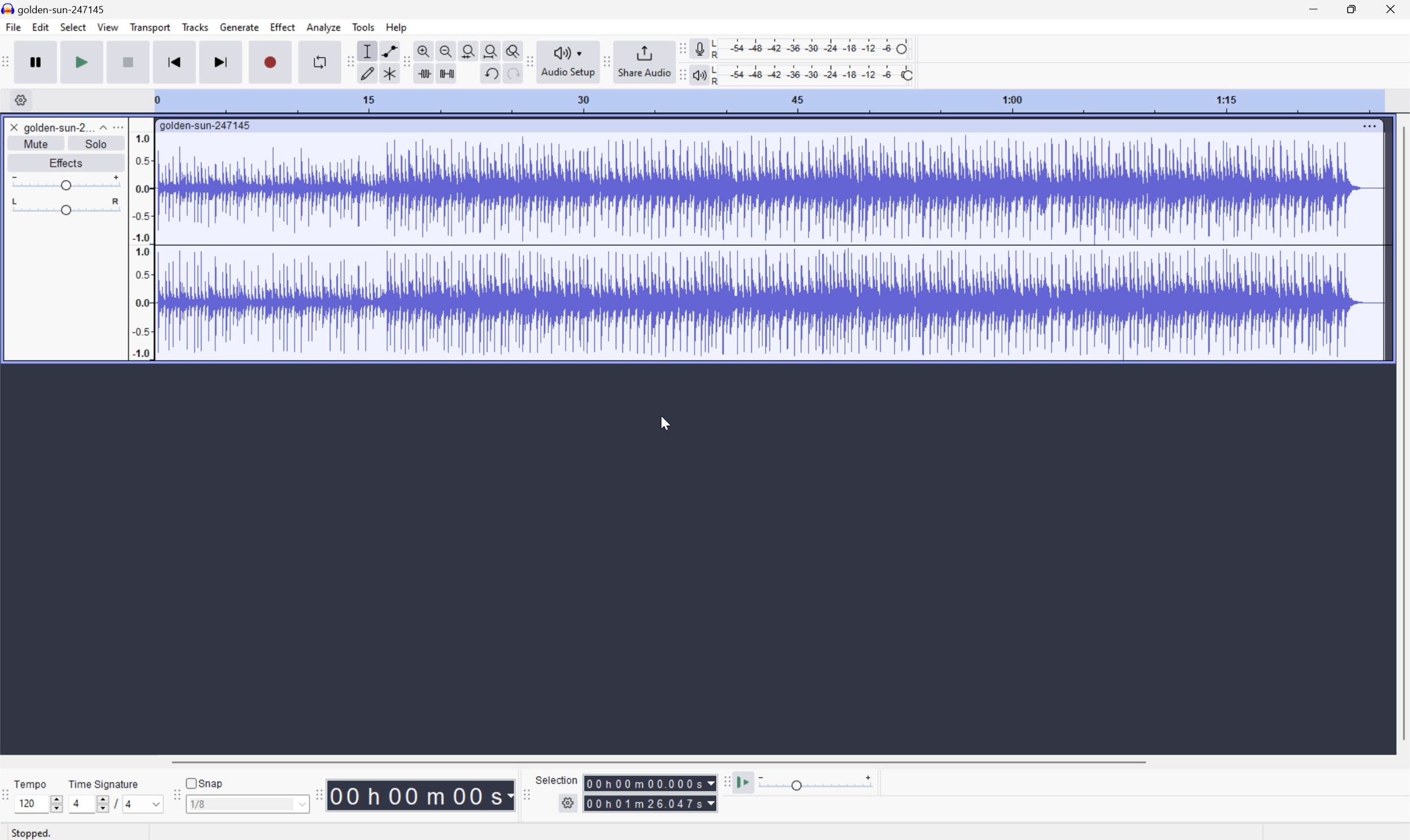  What do you see at coordinates (649, 783) in the screenshot?
I see `Selection` at bounding box center [649, 783].